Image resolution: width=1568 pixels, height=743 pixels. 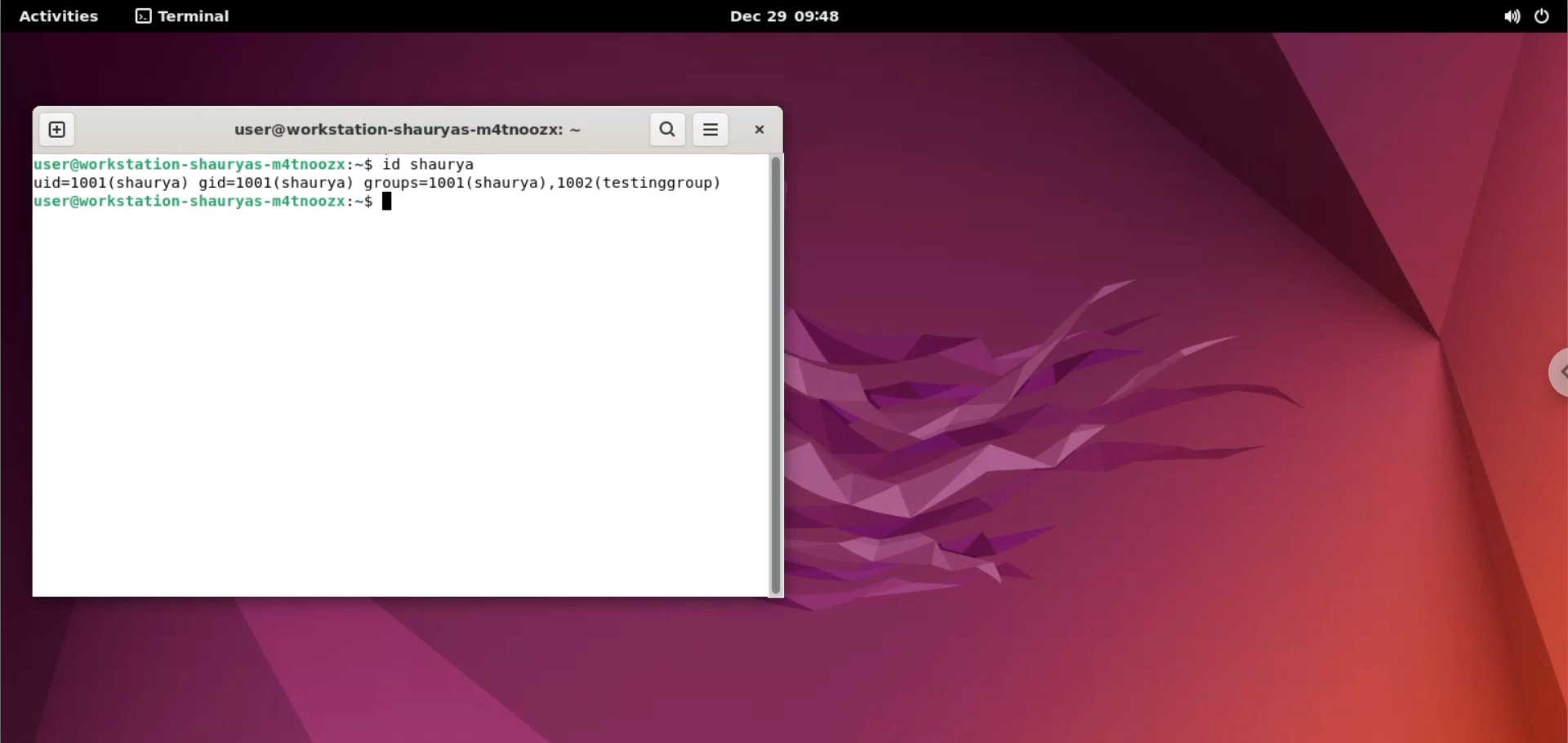 What do you see at coordinates (204, 163) in the screenshot?
I see `user@workstation-shauryas-m4tnoozx:-$` at bounding box center [204, 163].